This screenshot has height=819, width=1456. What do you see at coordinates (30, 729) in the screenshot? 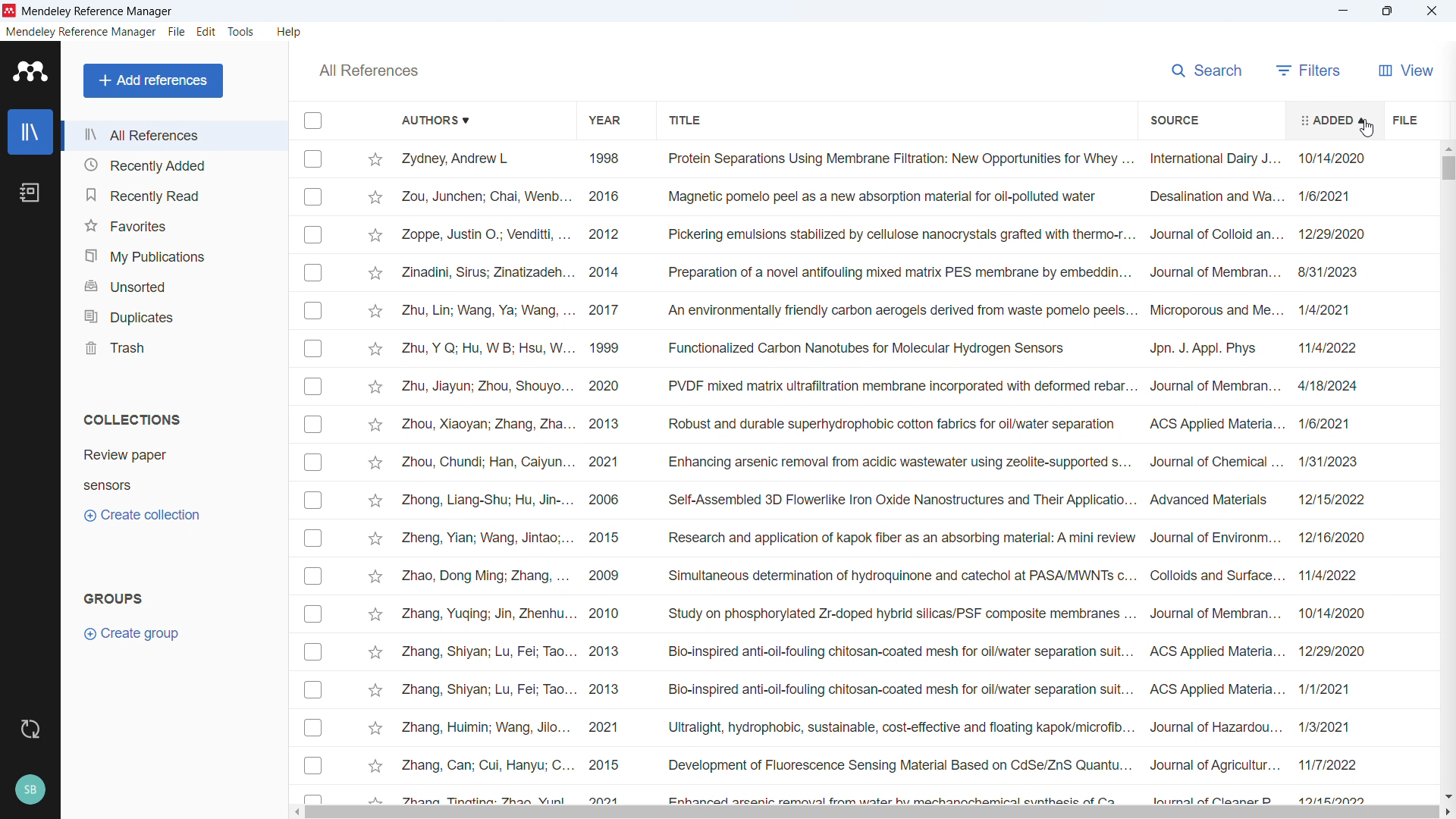
I see `sync ` at bounding box center [30, 729].